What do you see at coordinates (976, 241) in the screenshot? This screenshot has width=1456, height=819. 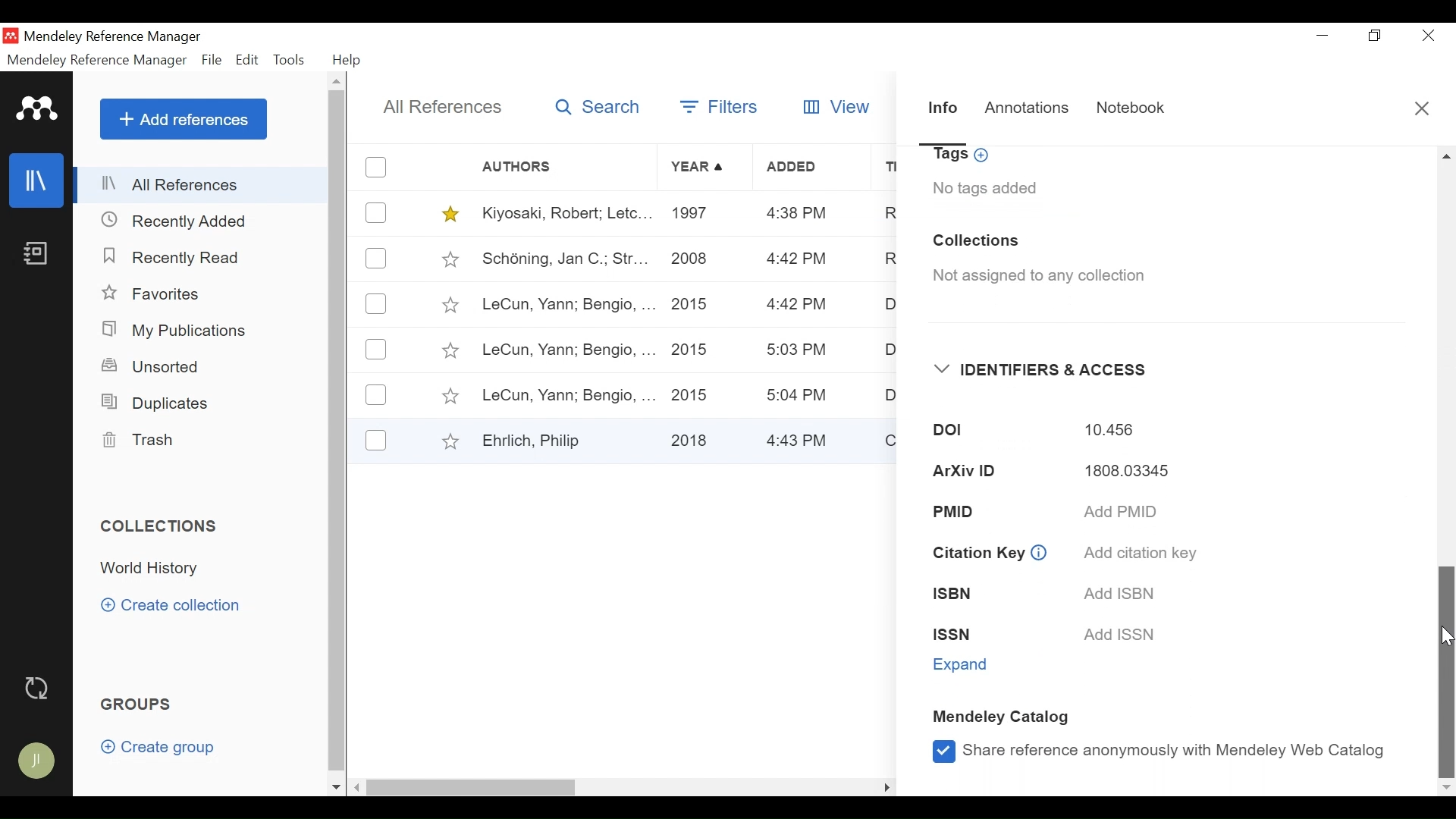 I see `Collections` at bounding box center [976, 241].